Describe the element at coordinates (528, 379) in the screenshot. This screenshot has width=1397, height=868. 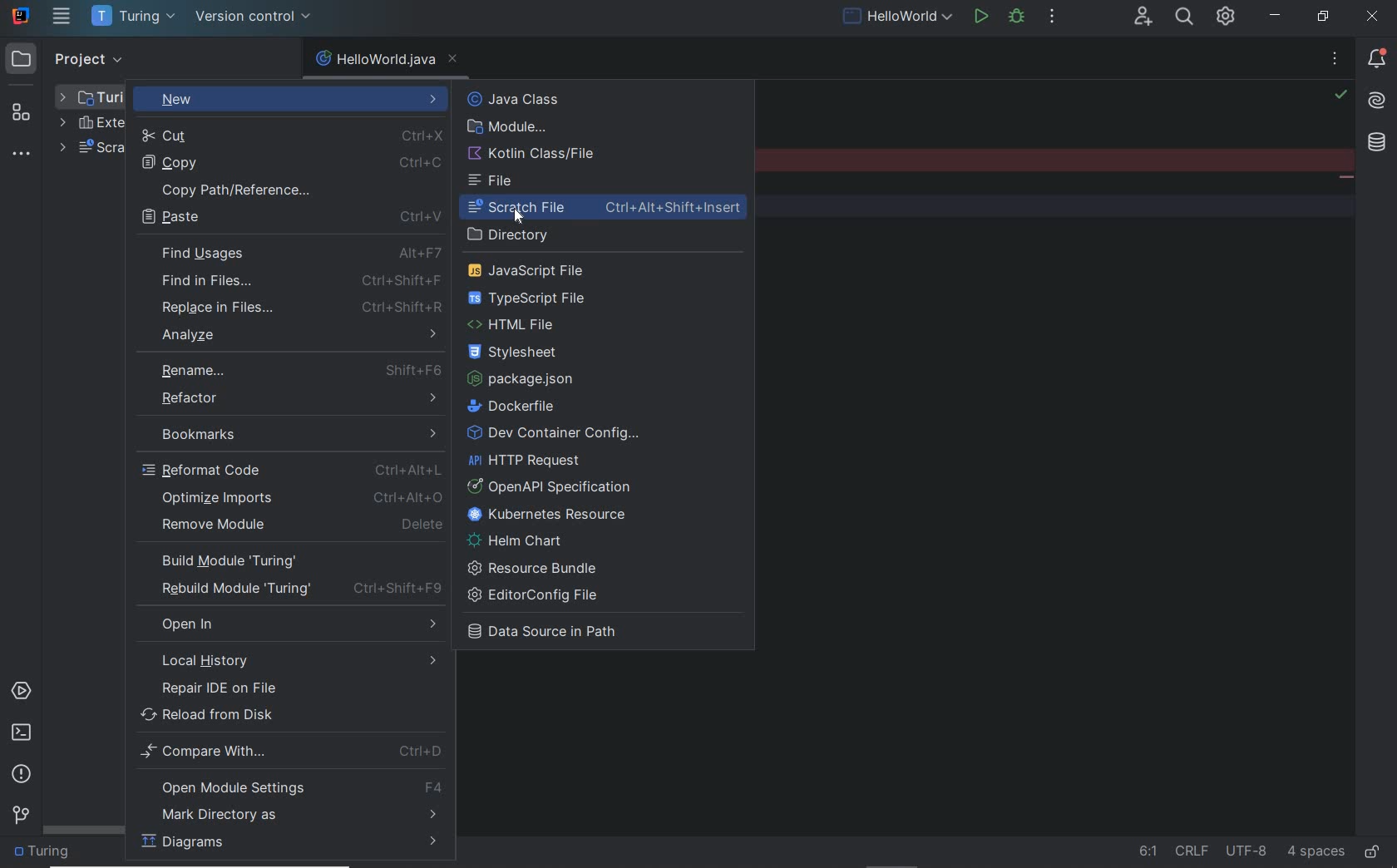
I see `package.json` at that location.